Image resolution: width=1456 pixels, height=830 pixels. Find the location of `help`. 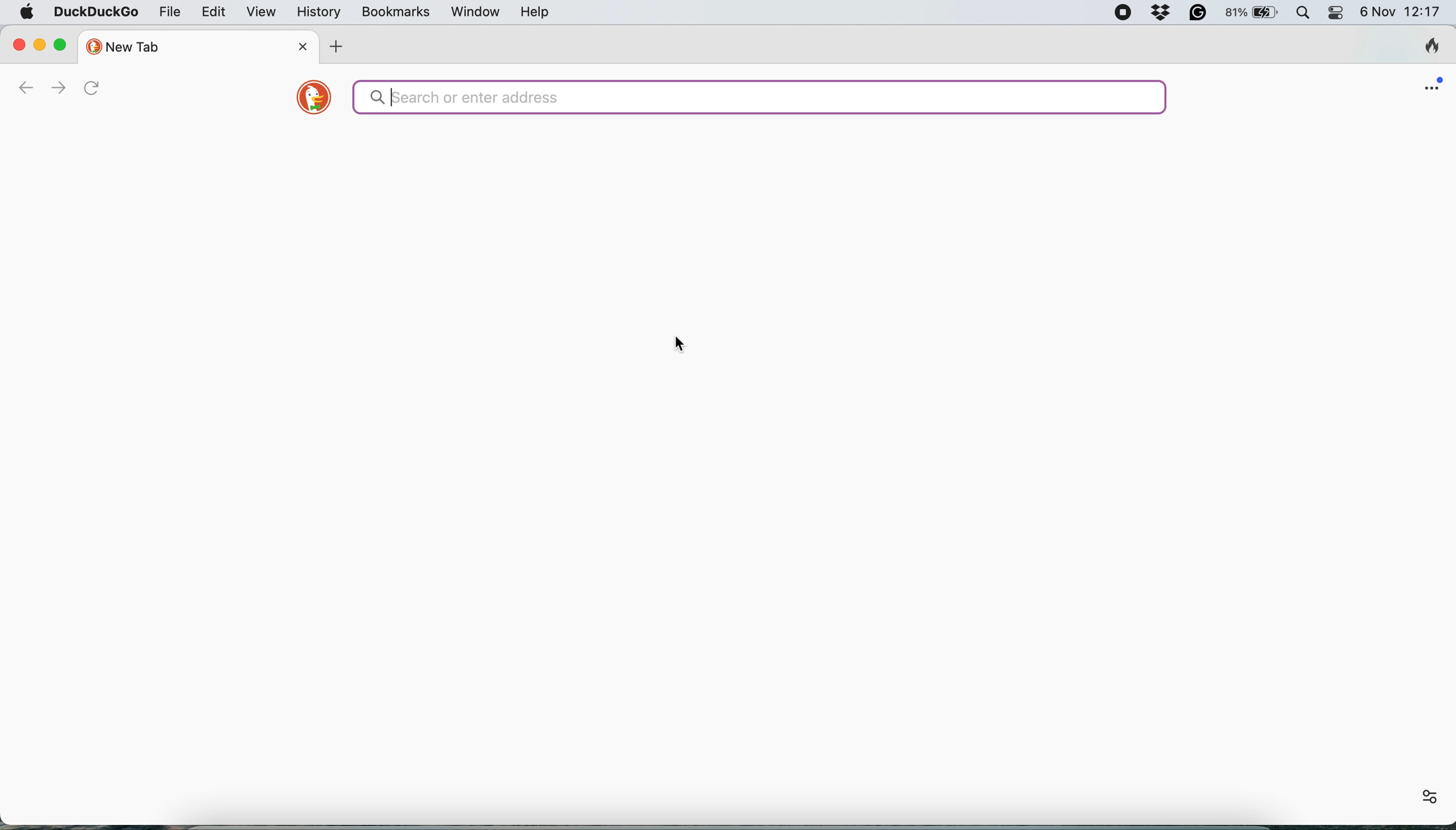

help is located at coordinates (534, 13).